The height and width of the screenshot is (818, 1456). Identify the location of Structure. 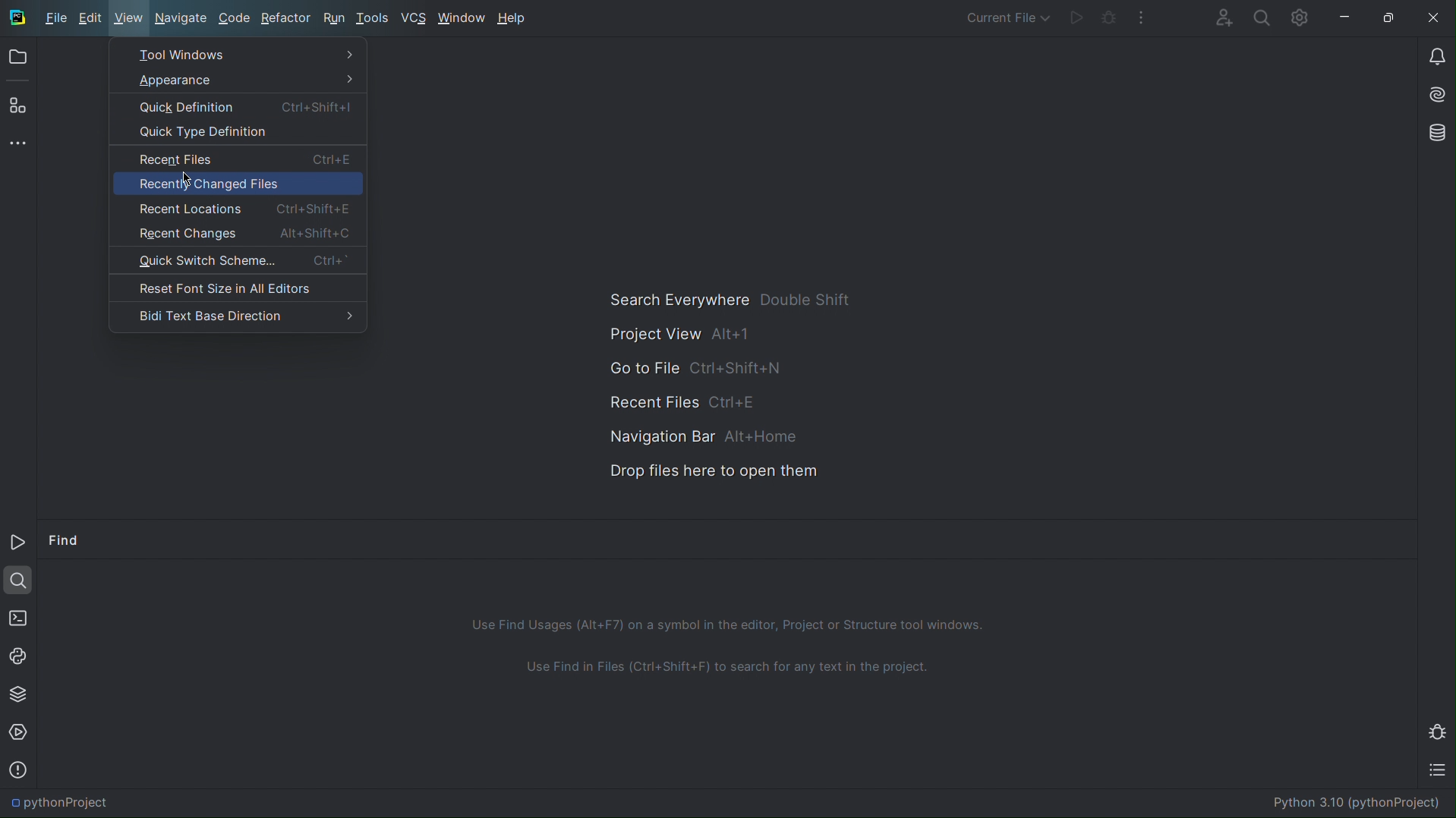
(15, 104).